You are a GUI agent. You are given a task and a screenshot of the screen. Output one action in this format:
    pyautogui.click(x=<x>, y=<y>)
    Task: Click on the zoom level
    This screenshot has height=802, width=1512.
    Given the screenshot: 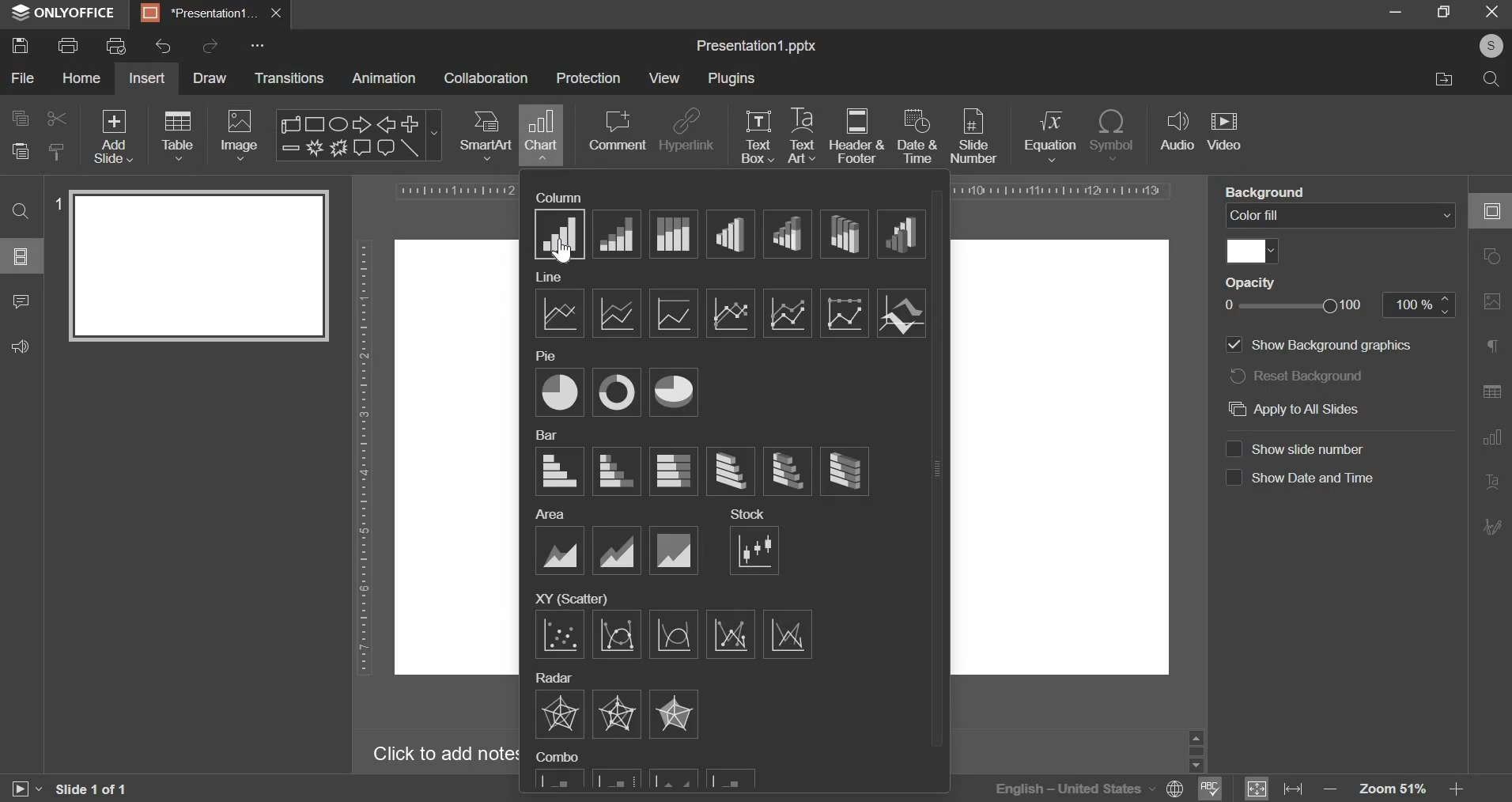 What is the action you would take?
    pyautogui.click(x=1392, y=789)
    